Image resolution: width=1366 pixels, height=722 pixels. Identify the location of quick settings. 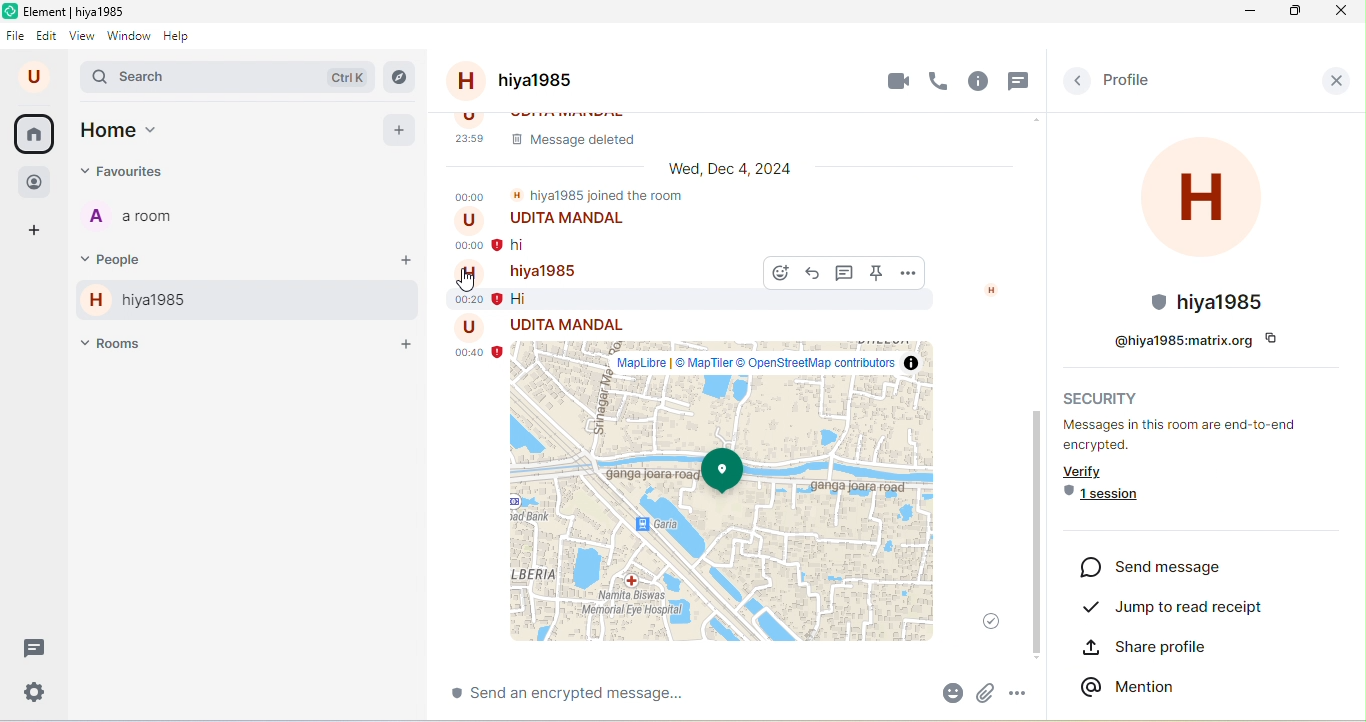
(33, 691).